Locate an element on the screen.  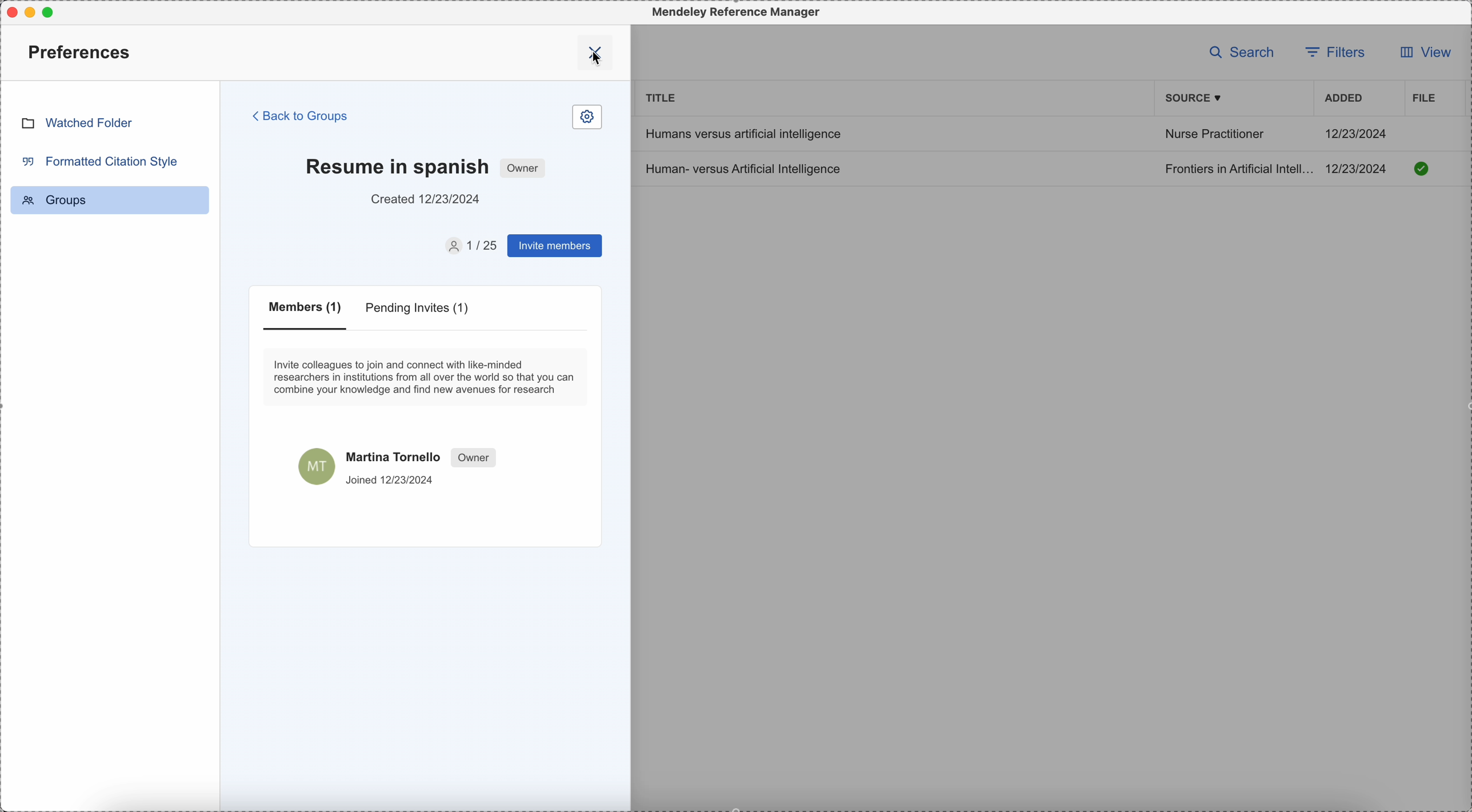
Checkmark is located at coordinates (1422, 168).